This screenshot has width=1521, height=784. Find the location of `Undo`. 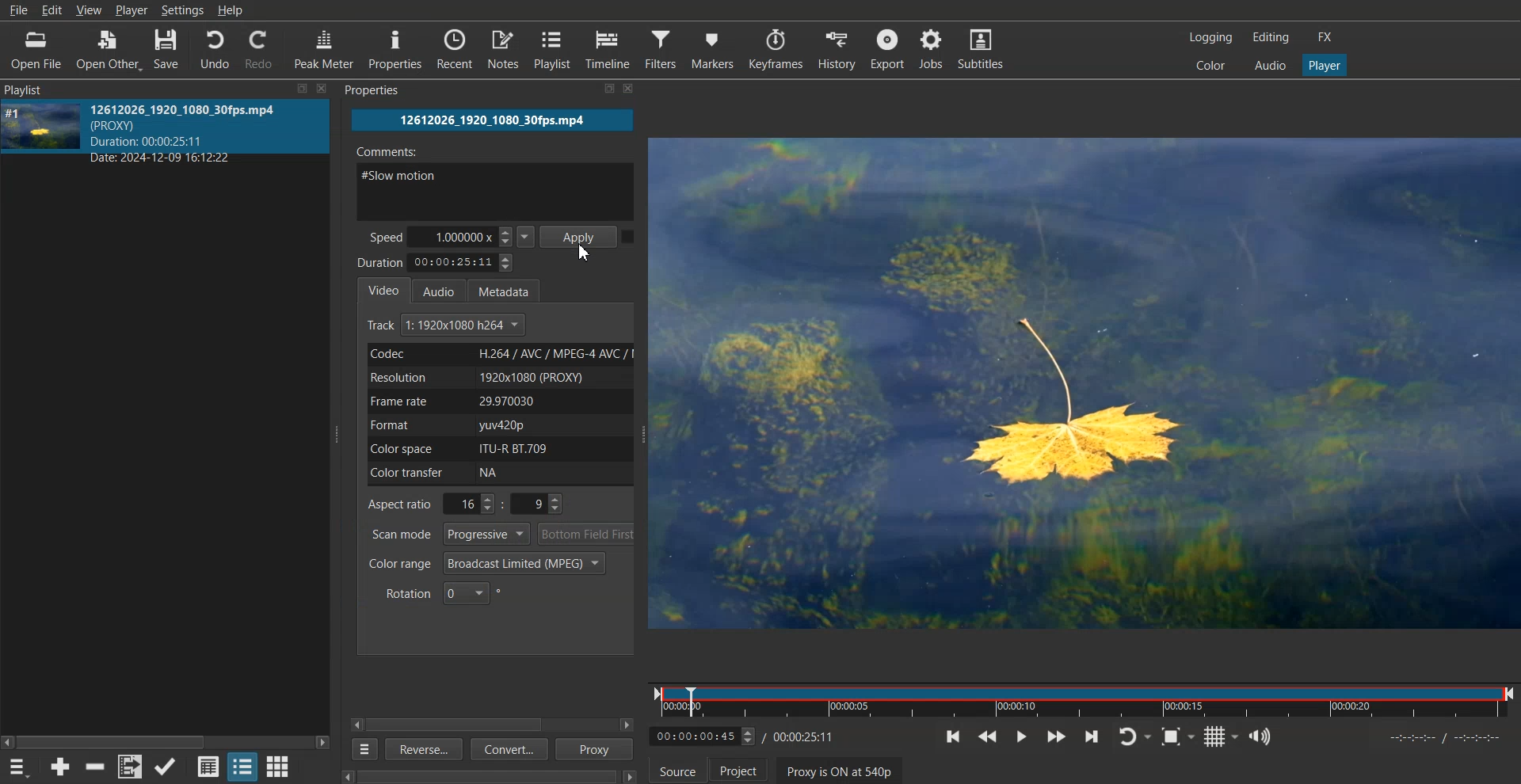

Undo is located at coordinates (214, 48).